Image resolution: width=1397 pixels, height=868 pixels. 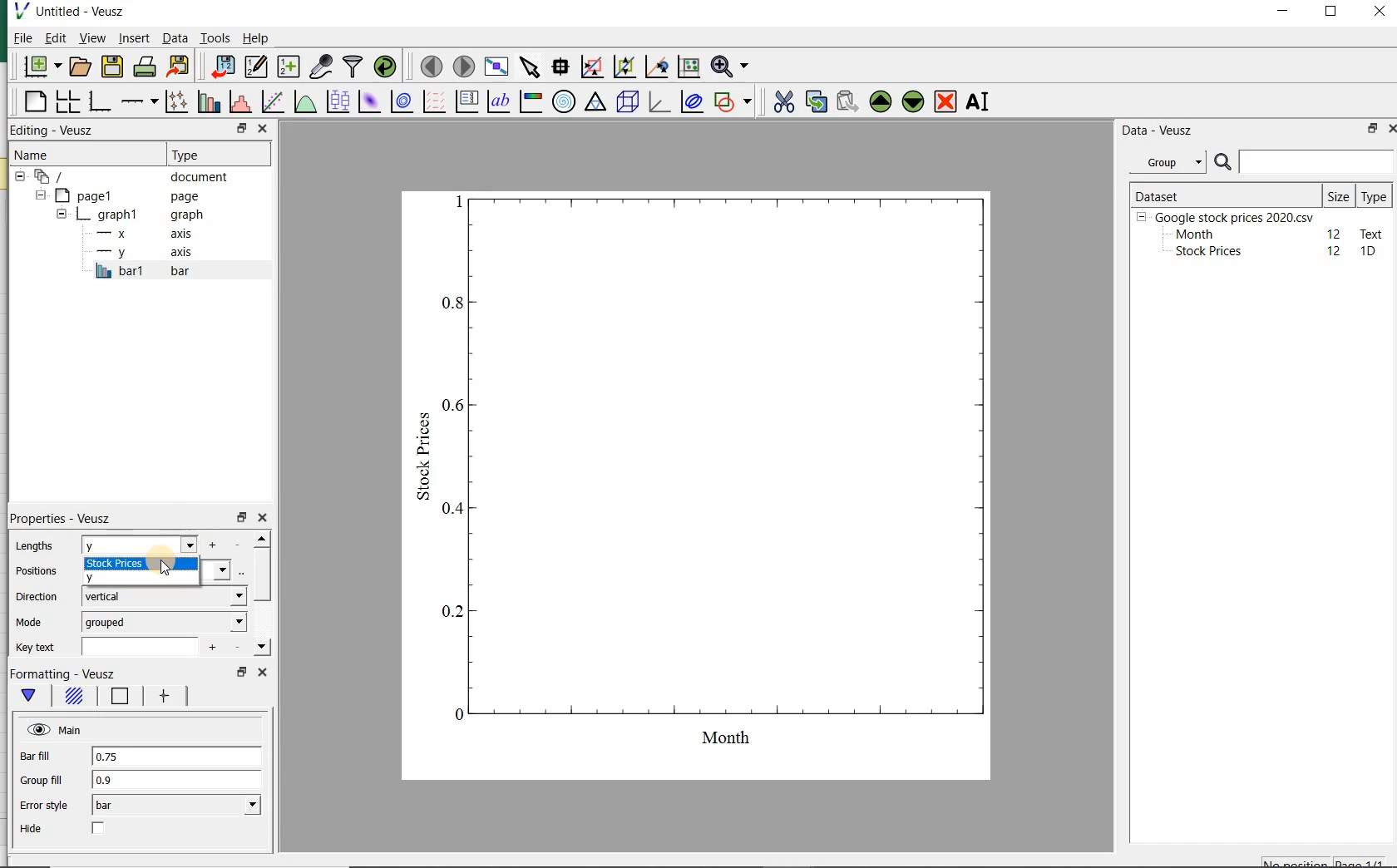 I want to click on copy the selected widget, so click(x=815, y=102).